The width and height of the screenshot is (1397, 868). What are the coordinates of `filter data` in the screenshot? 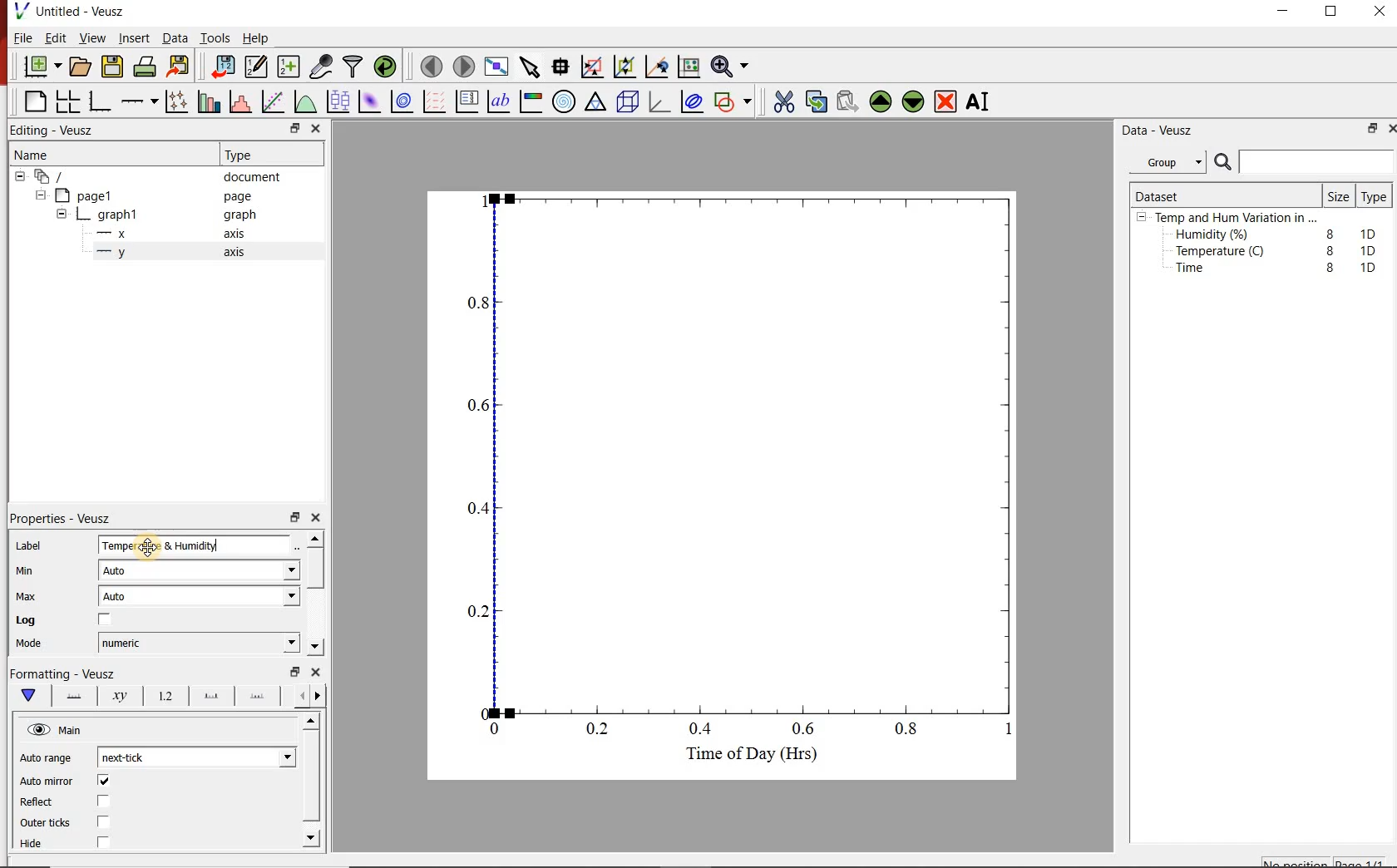 It's located at (353, 67).